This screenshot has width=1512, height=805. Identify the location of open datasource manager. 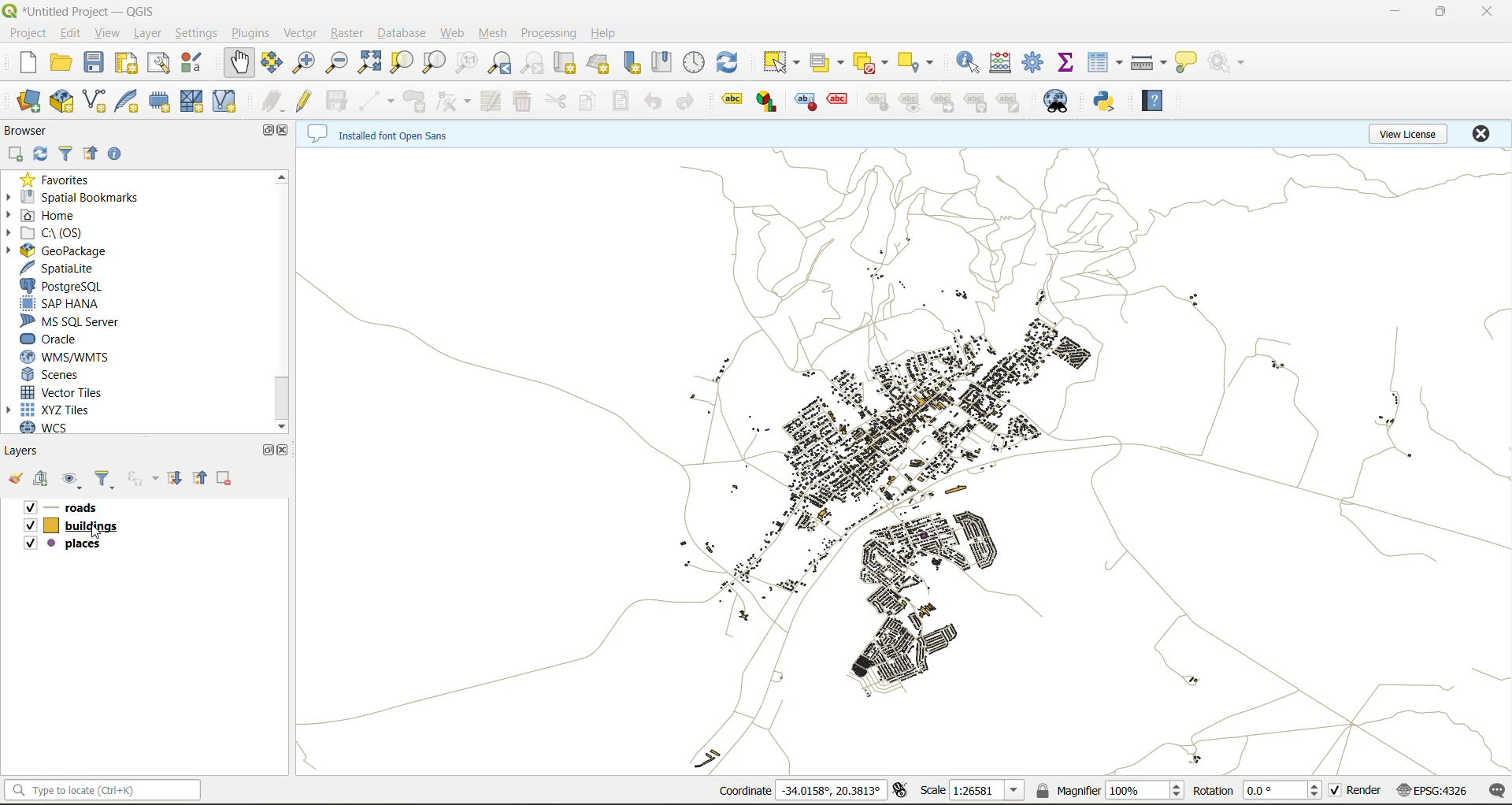
(28, 102).